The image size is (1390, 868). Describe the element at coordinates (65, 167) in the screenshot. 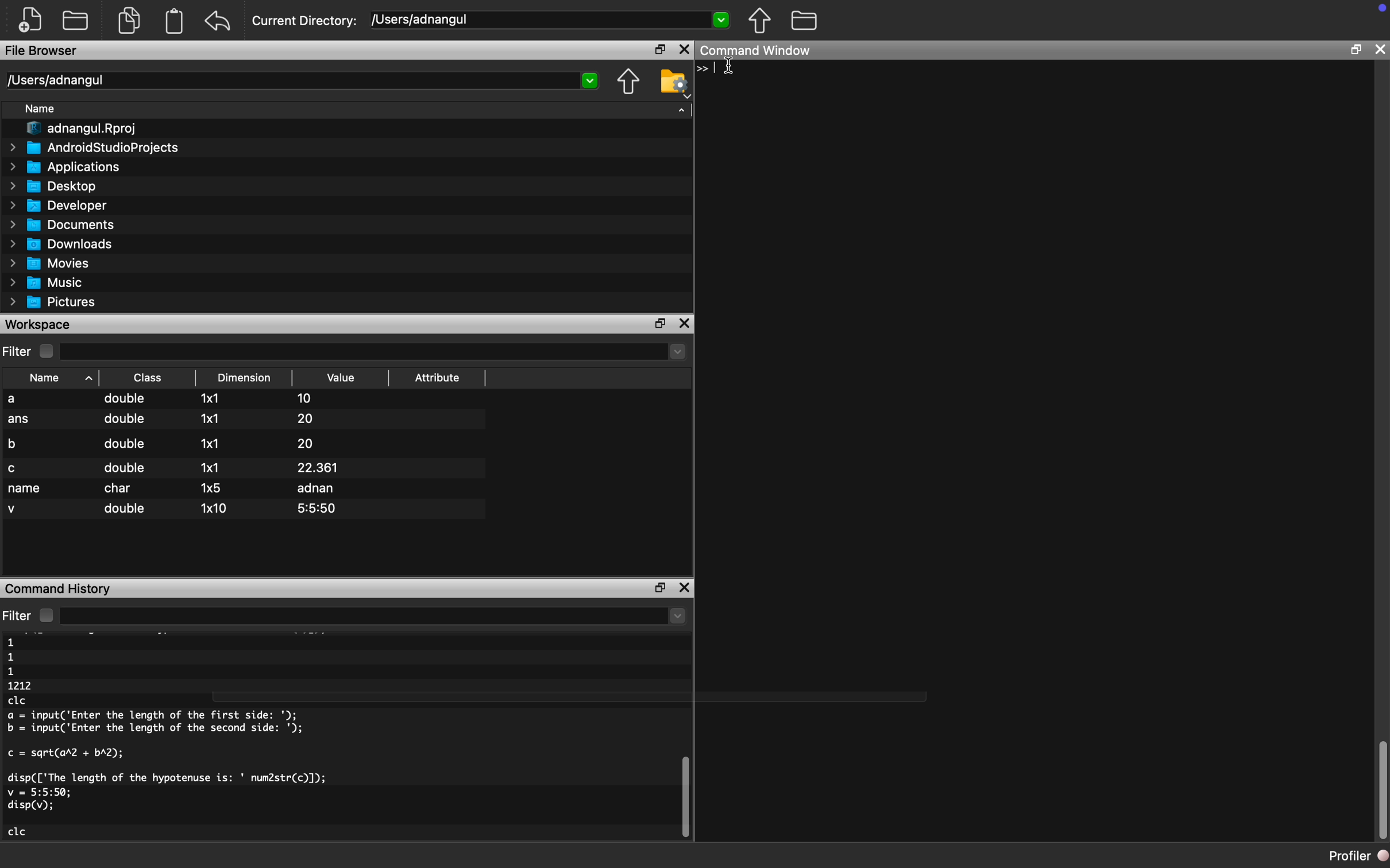

I see `Applications` at that location.